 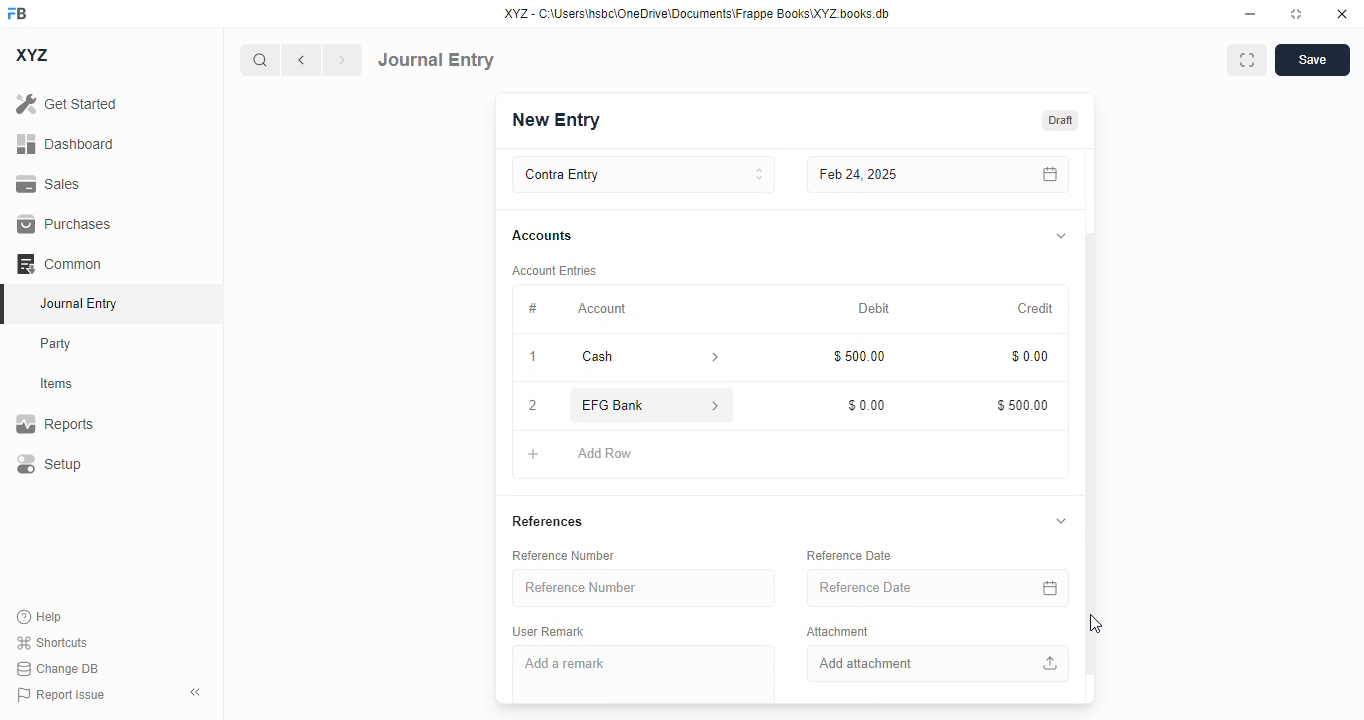 What do you see at coordinates (57, 384) in the screenshot?
I see `items` at bounding box center [57, 384].